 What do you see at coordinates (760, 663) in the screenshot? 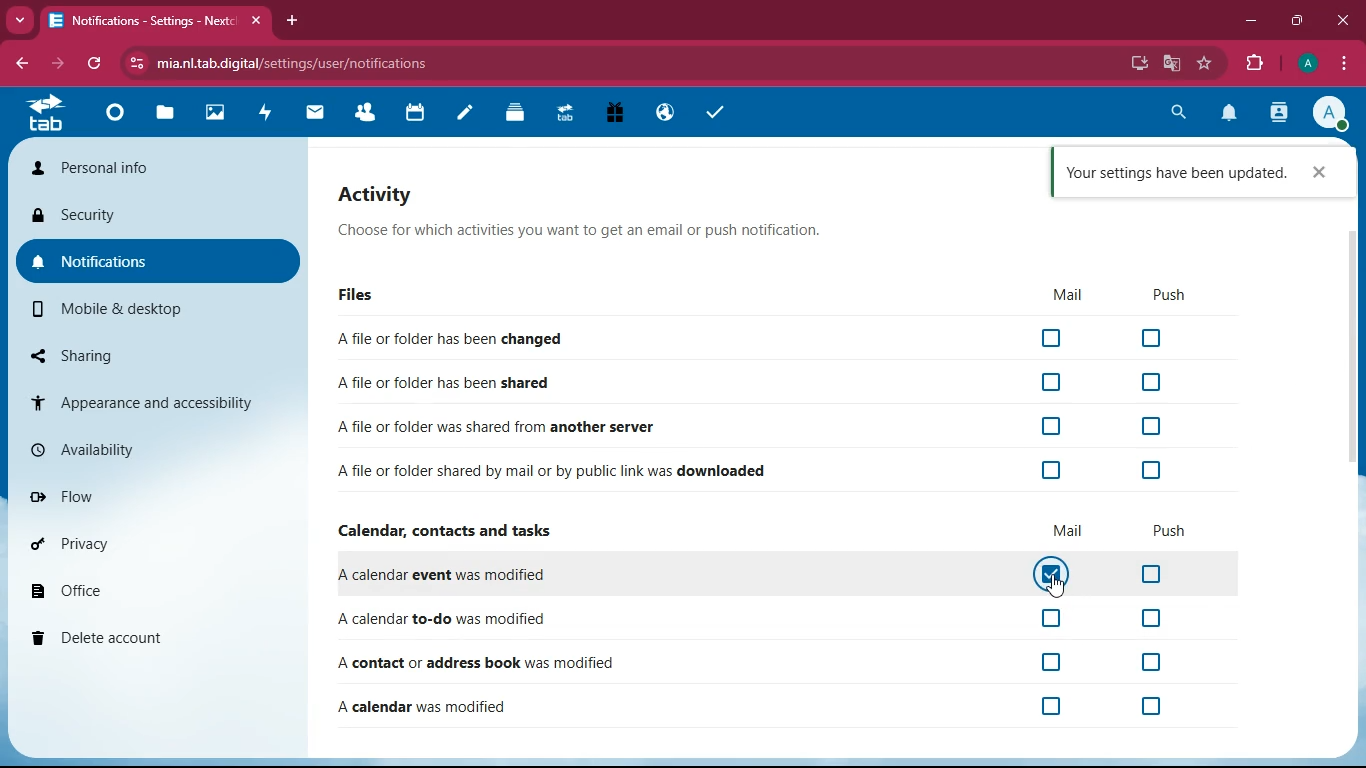
I see `A contact or address book was modified` at bounding box center [760, 663].